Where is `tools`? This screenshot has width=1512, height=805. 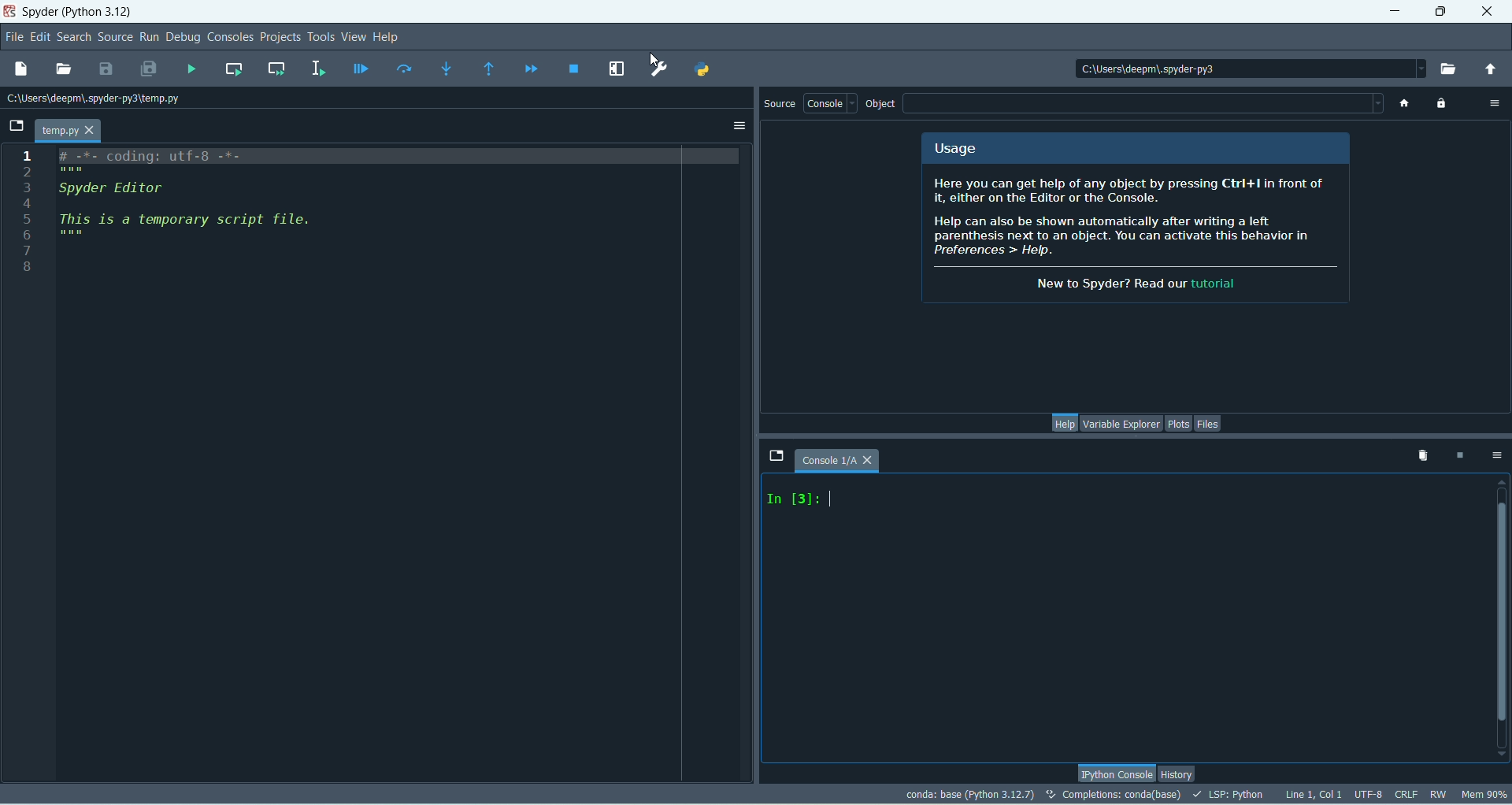
tools is located at coordinates (321, 37).